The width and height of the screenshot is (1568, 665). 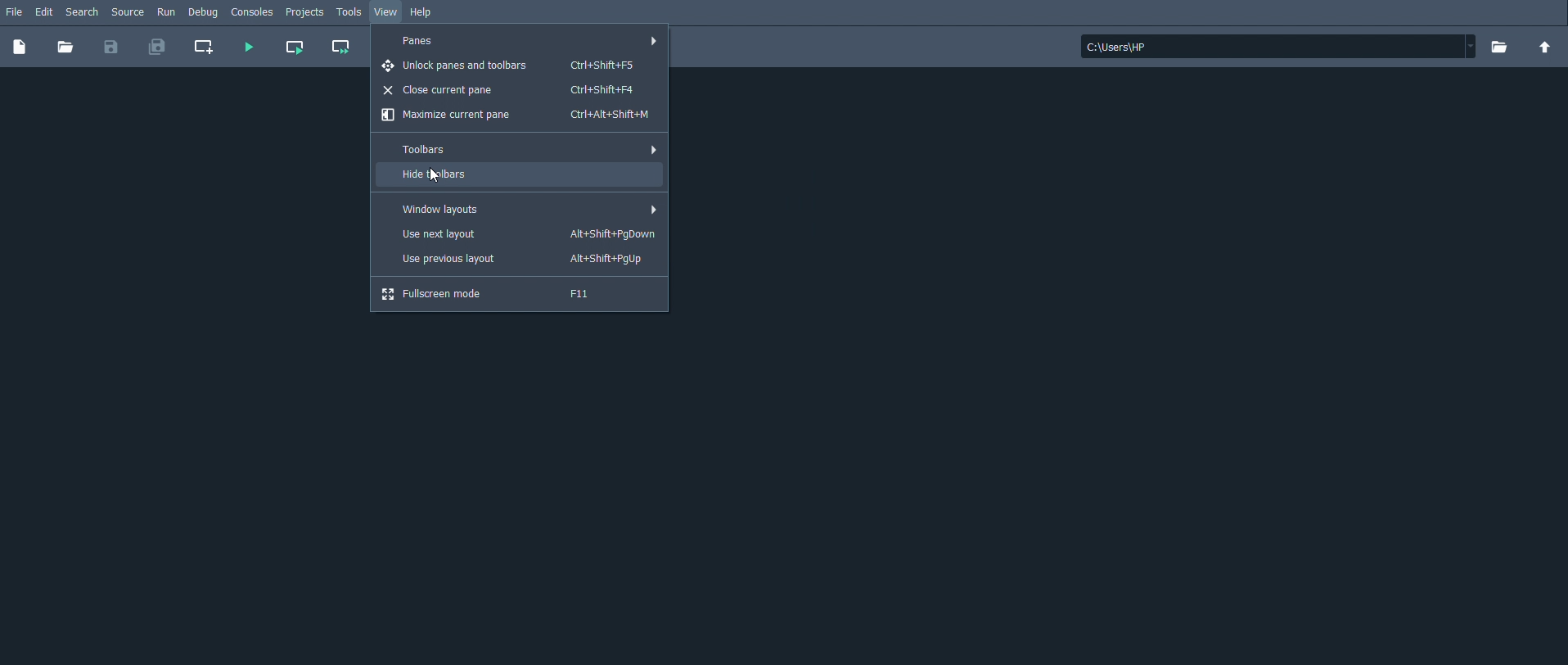 I want to click on Close current pane, so click(x=508, y=90).